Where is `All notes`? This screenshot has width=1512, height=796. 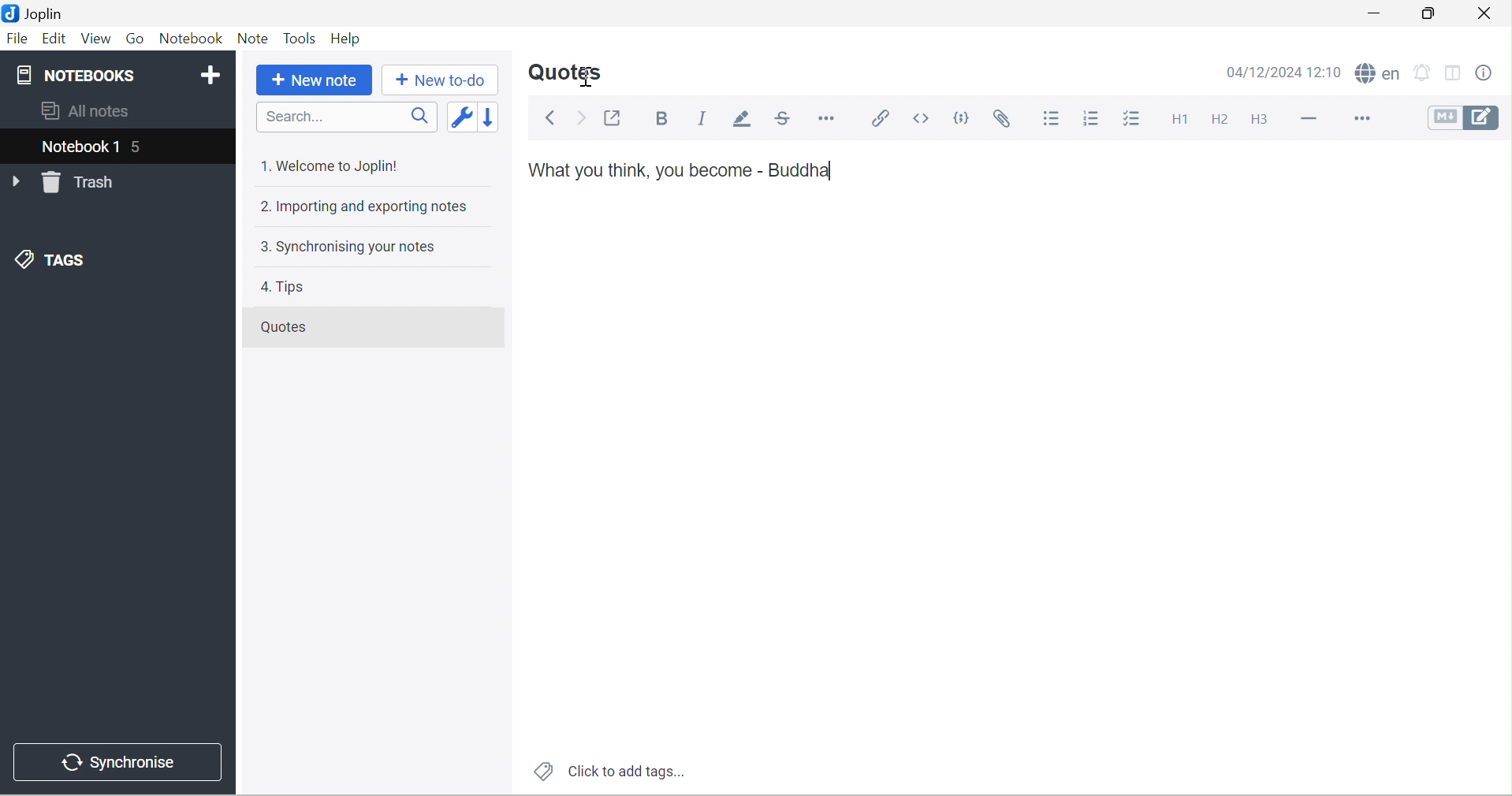
All notes is located at coordinates (86, 111).